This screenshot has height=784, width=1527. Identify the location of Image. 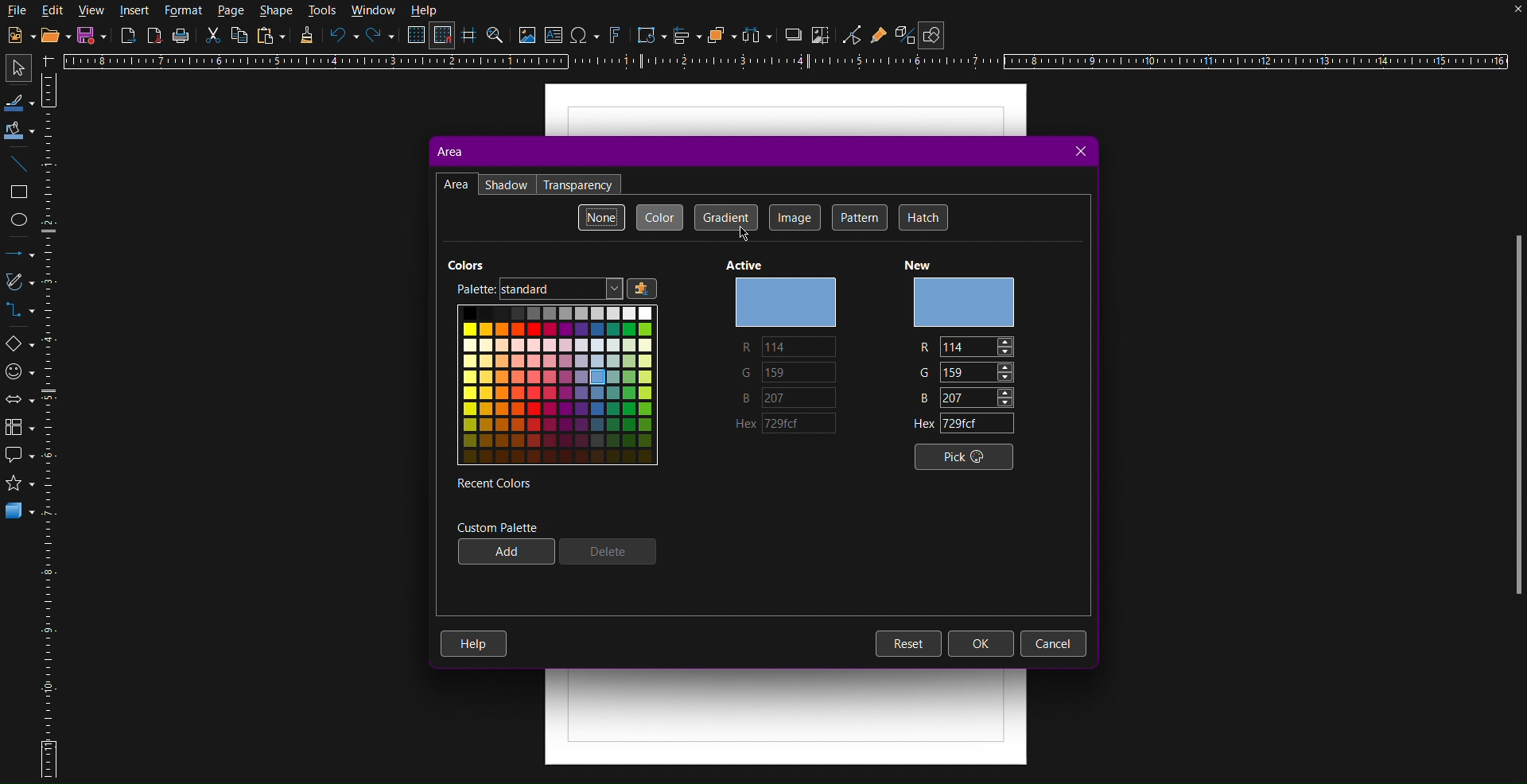
(795, 218).